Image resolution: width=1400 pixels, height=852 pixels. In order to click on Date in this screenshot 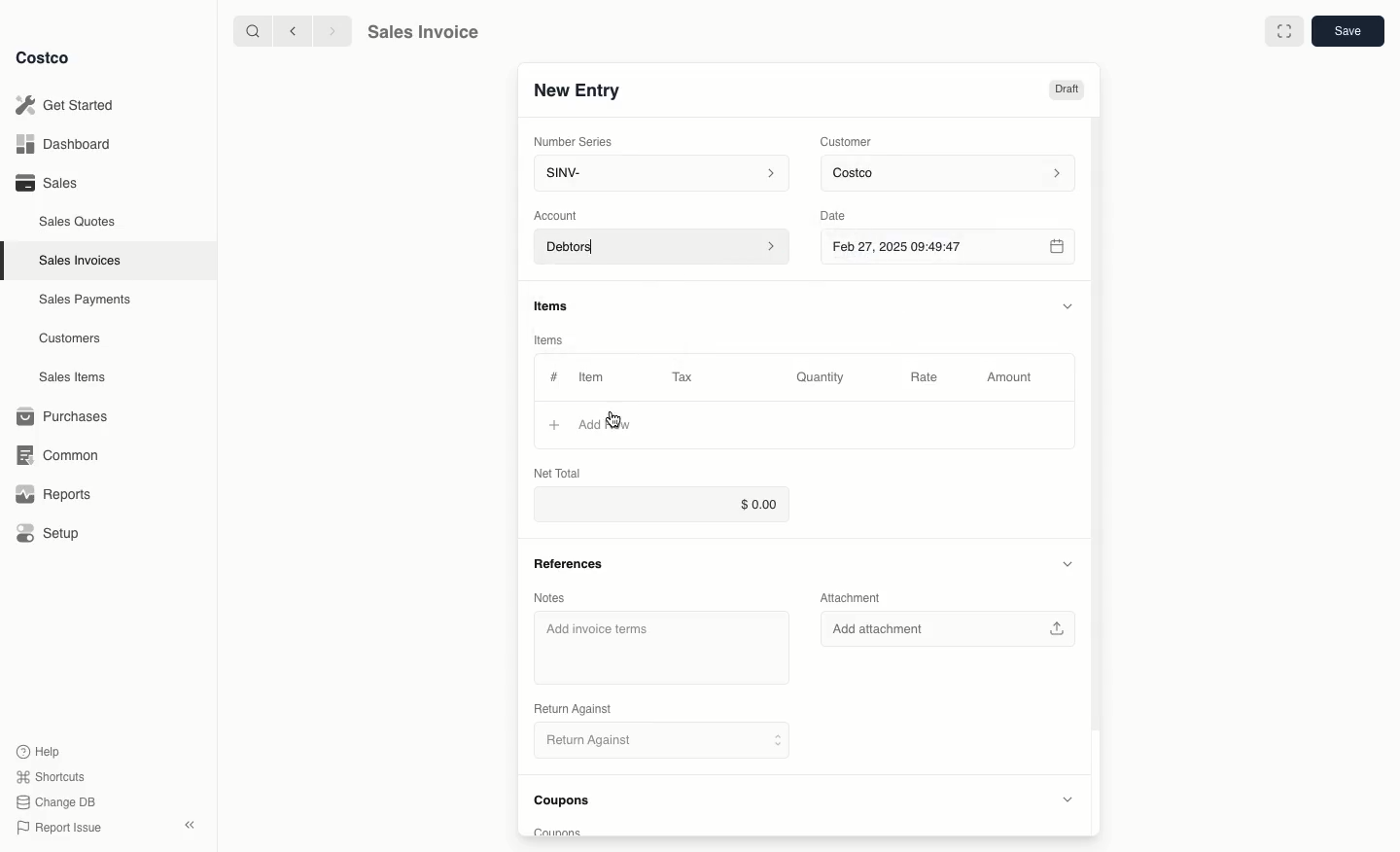, I will do `click(849, 213)`.